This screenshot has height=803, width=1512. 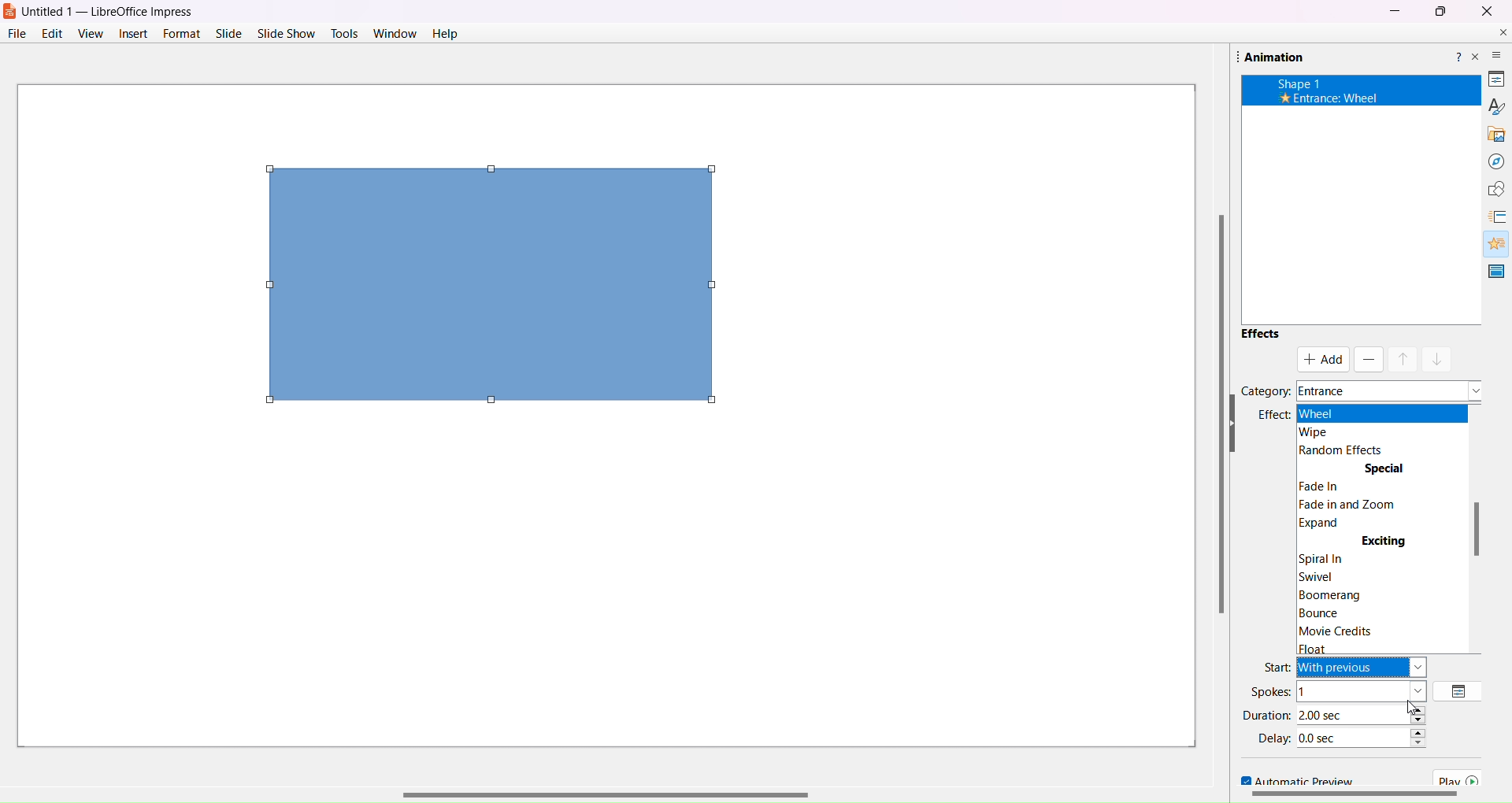 What do you see at coordinates (1440, 12) in the screenshot?
I see `Maximize` at bounding box center [1440, 12].